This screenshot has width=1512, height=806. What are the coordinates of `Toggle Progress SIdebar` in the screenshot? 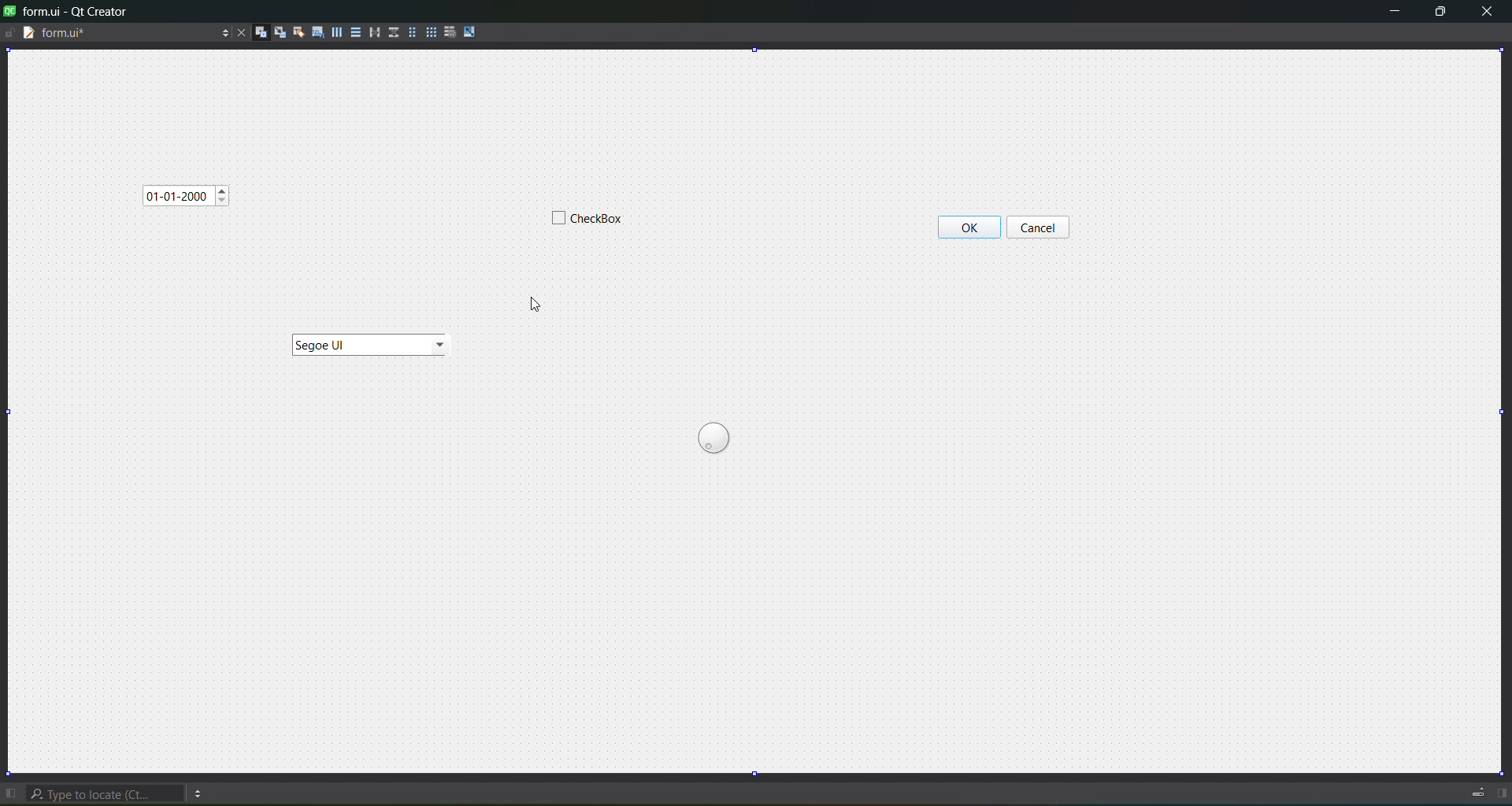 It's located at (1473, 789).